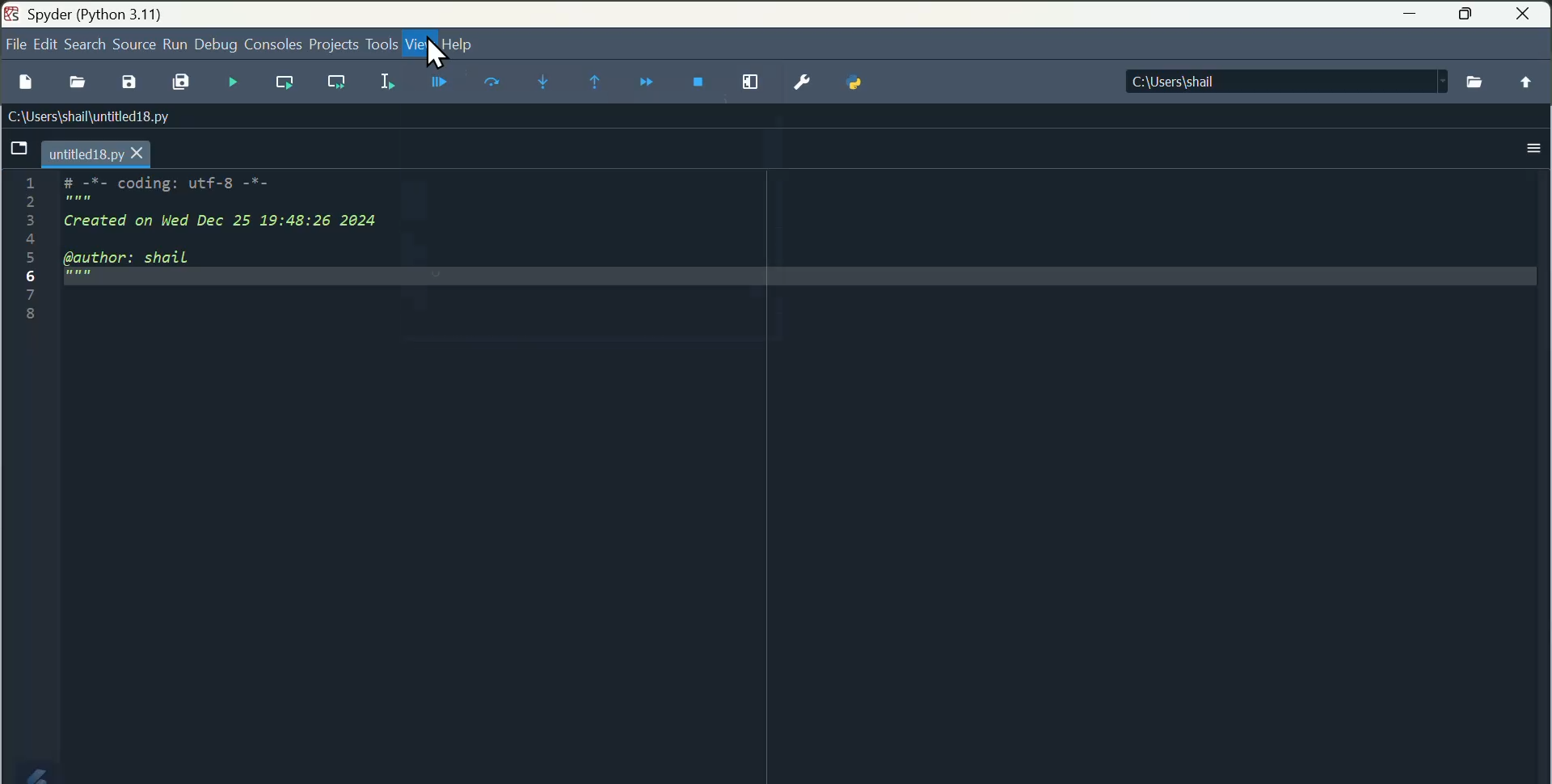  What do you see at coordinates (272, 42) in the screenshot?
I see `Console` at bounding box center [272, 42].